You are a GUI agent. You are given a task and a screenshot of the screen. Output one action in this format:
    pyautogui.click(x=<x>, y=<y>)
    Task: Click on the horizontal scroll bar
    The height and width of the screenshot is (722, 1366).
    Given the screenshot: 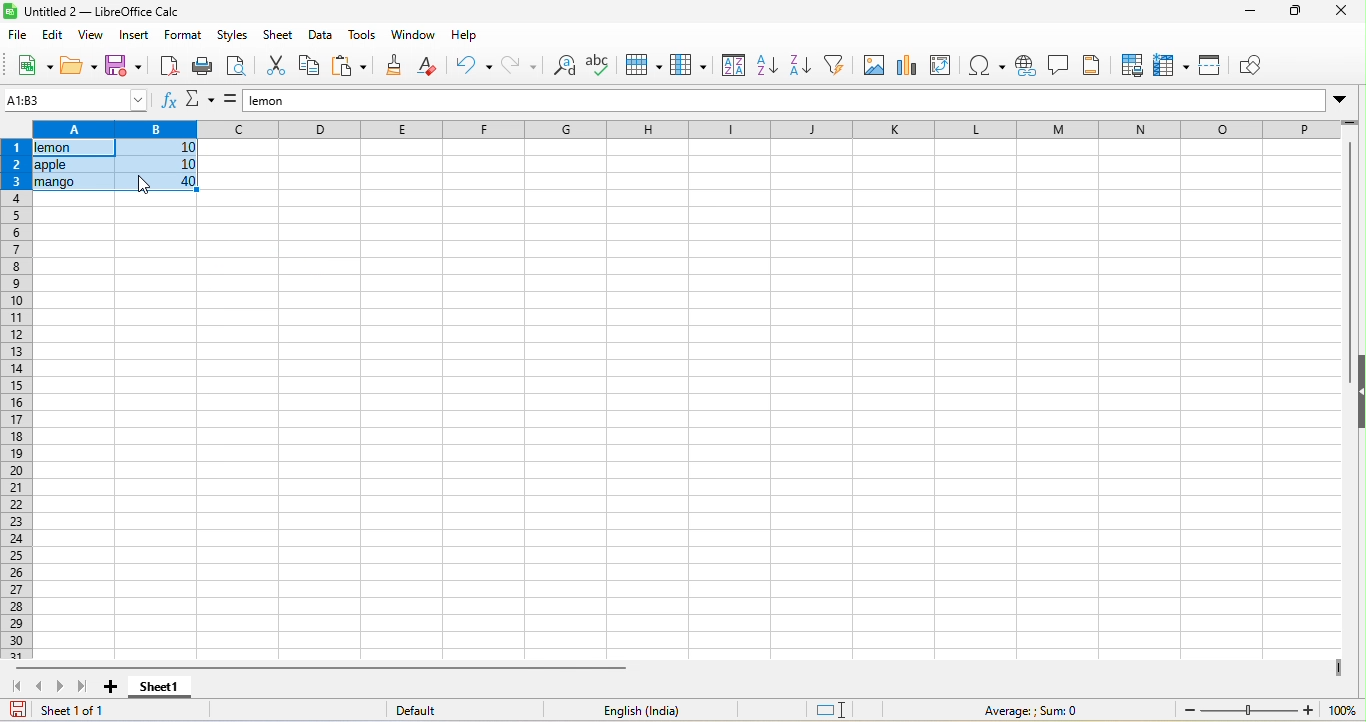 What is the action you would take?
    pyautogui.click(x=318, y=668)
    